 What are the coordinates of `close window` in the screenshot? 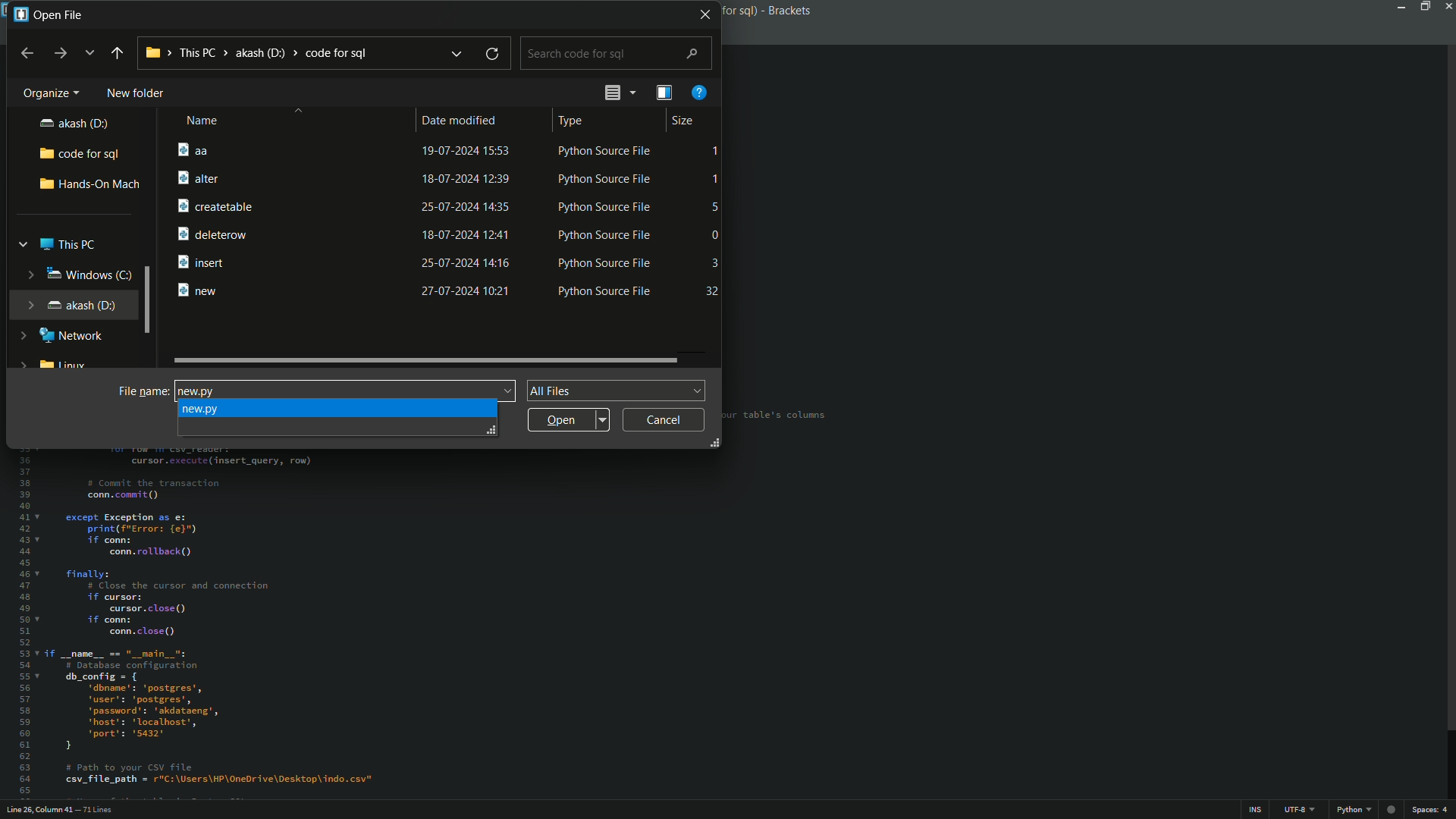 It's located at (706, 14).